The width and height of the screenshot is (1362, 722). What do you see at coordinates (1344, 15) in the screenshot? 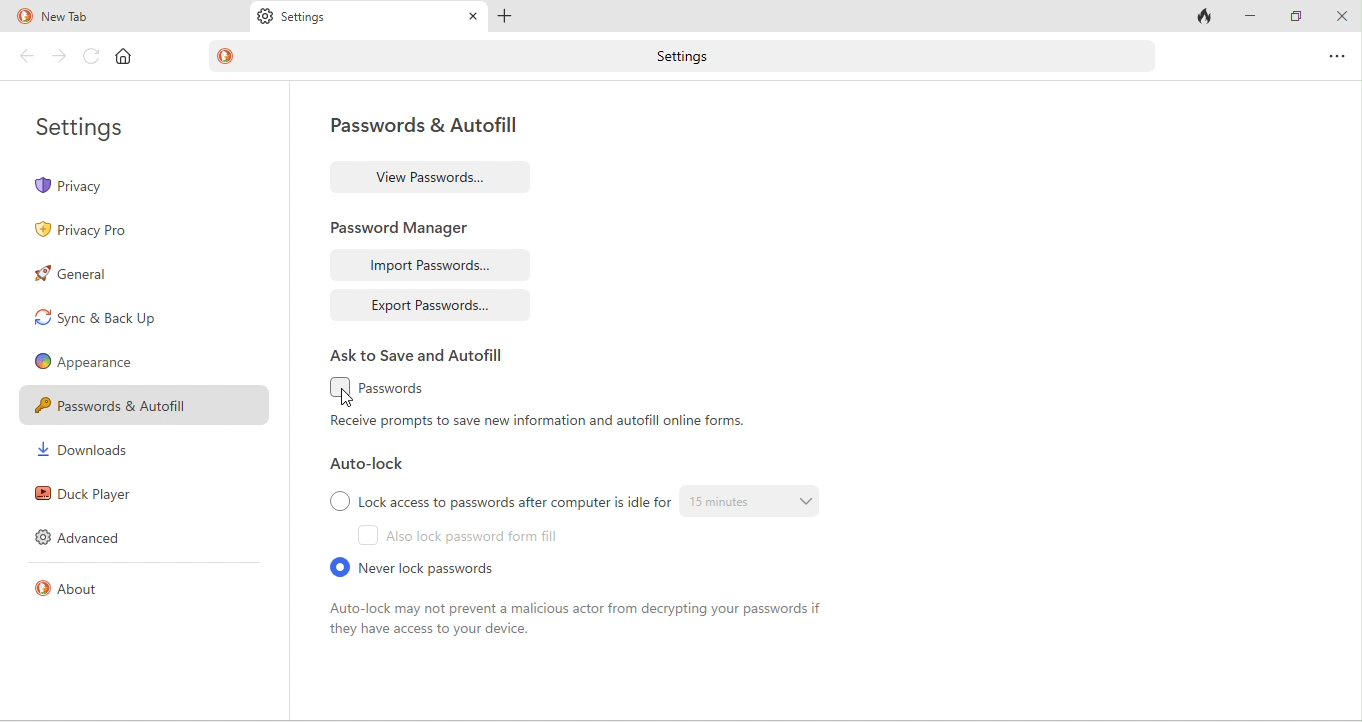
I see `close` at bounding box center [1344, 15].